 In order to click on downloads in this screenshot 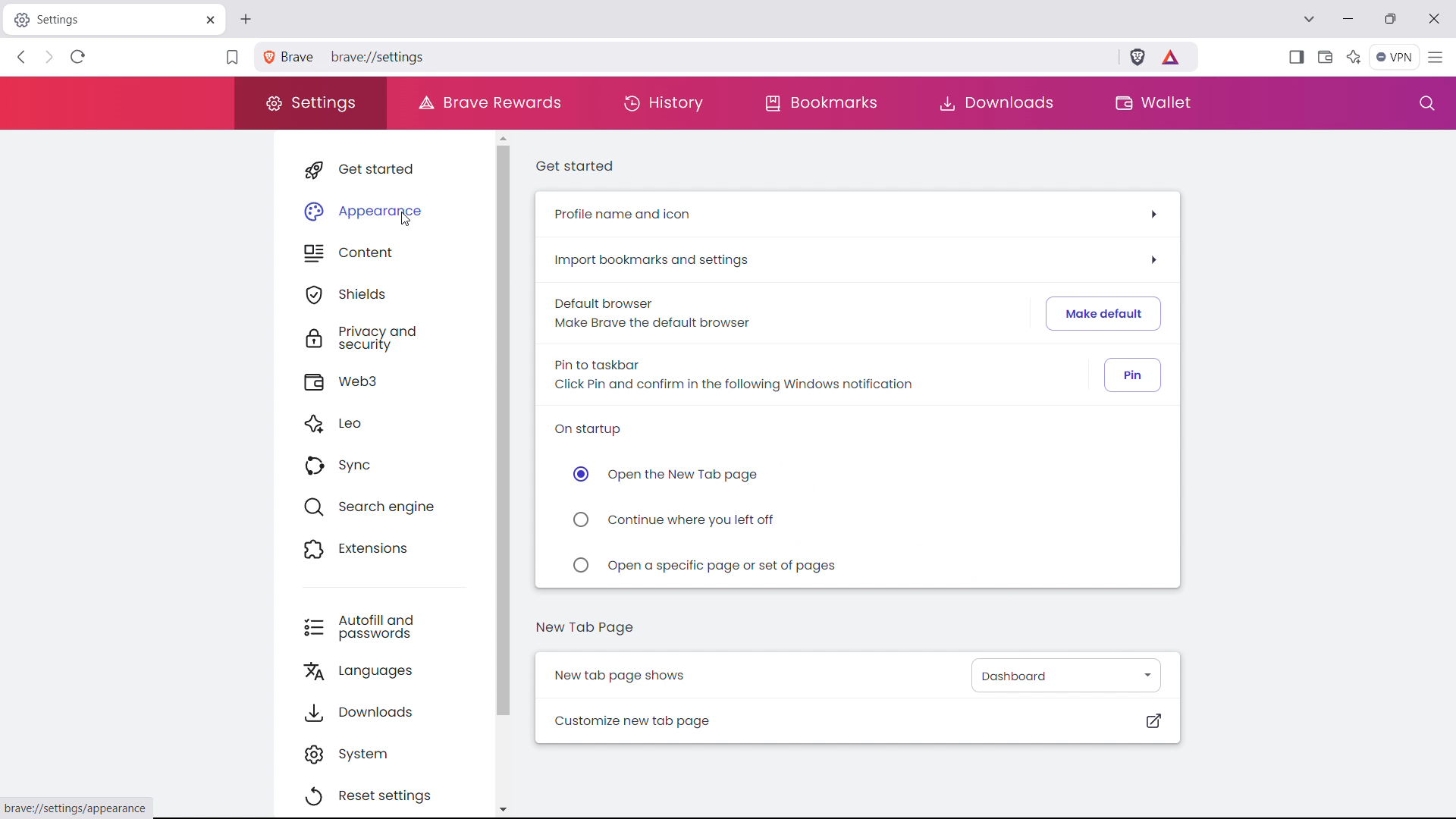, I will do `click(384, 709)`.